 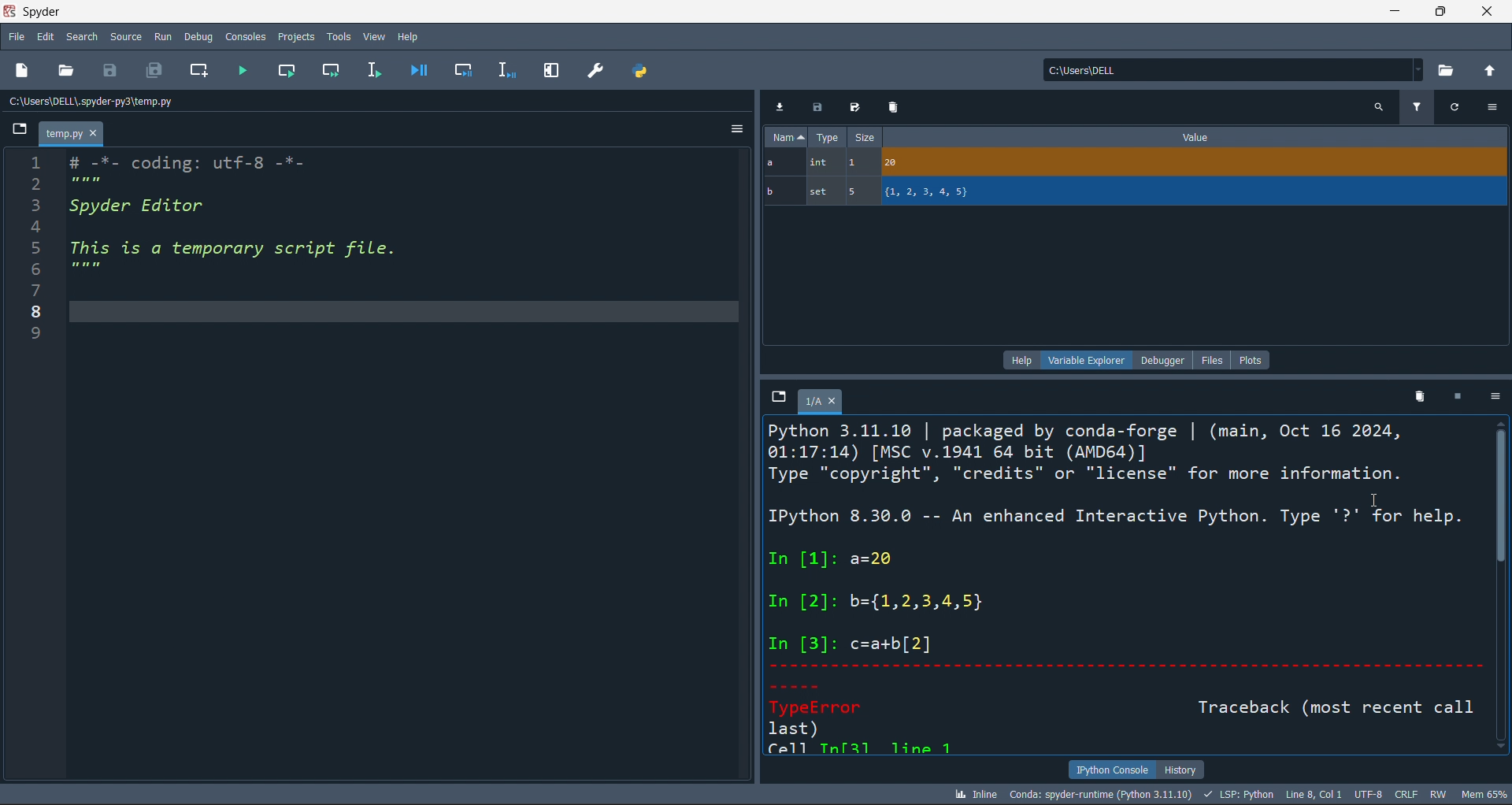 I want to click on debug cell, so click(x=455, y=70).